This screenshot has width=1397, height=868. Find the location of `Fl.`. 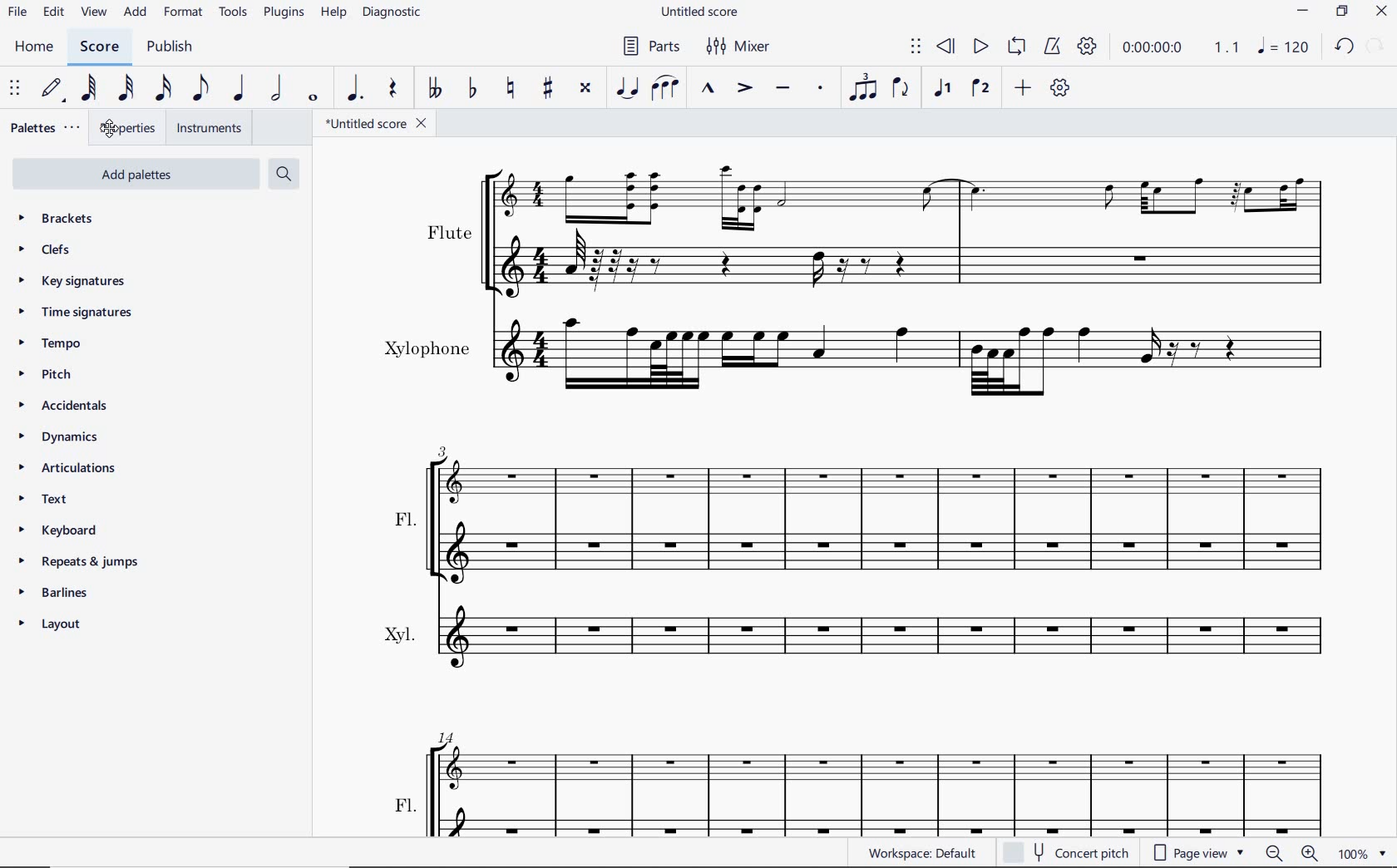

Fl. is located at coordinates (864, 779).